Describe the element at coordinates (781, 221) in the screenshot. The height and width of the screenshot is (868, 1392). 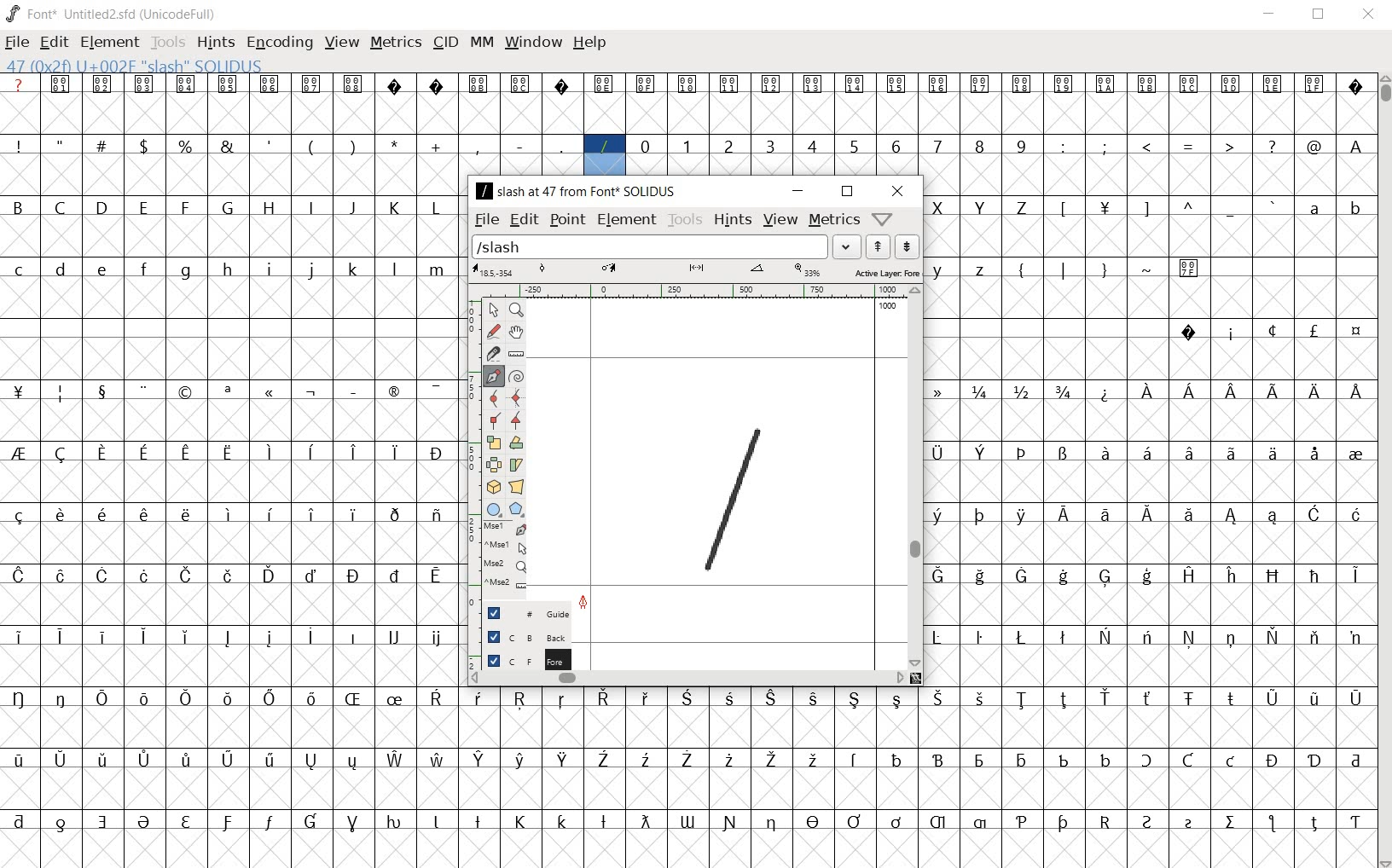
I see `view` at that location.